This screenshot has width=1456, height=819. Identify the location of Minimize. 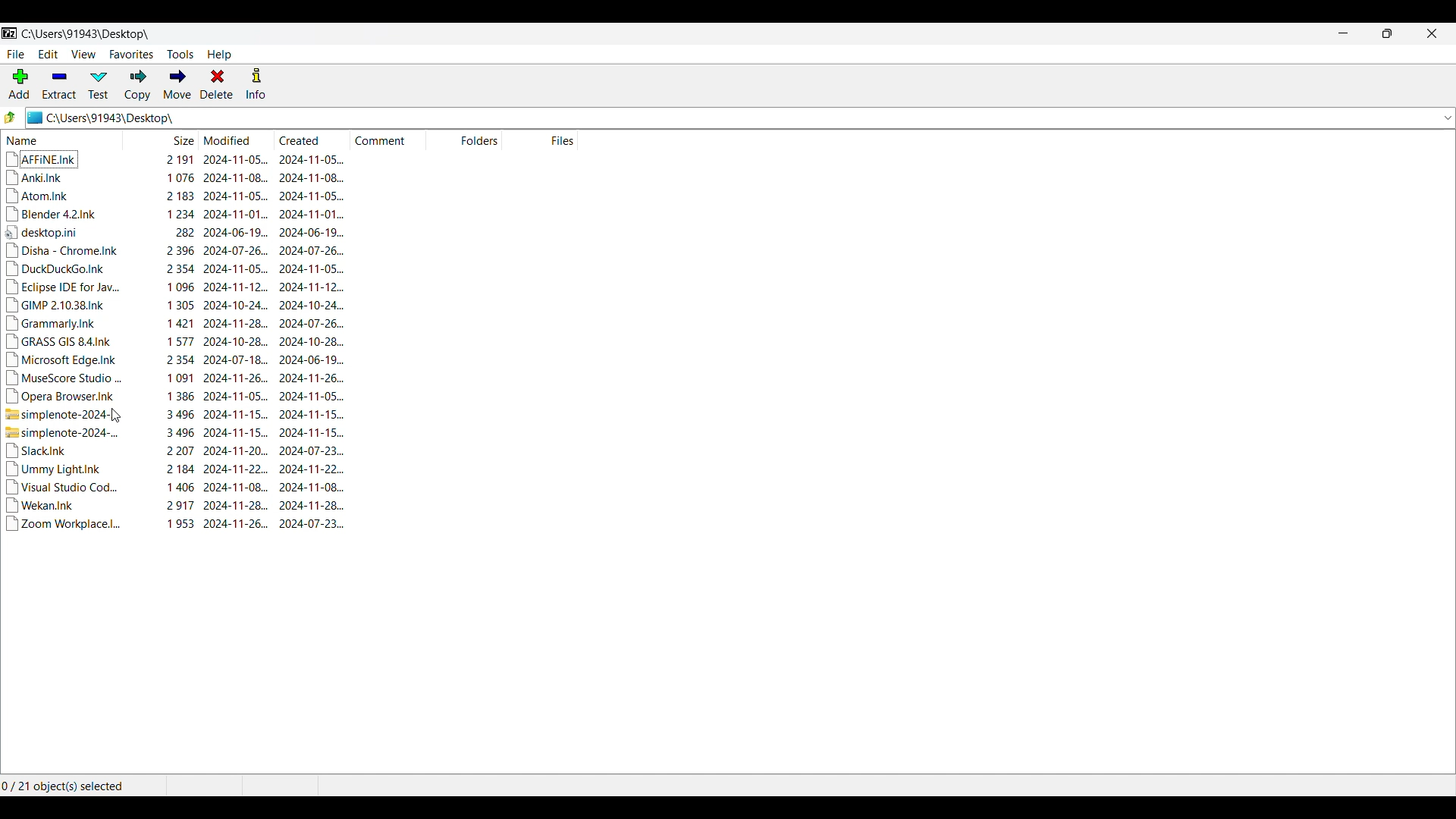
(1343, 33).